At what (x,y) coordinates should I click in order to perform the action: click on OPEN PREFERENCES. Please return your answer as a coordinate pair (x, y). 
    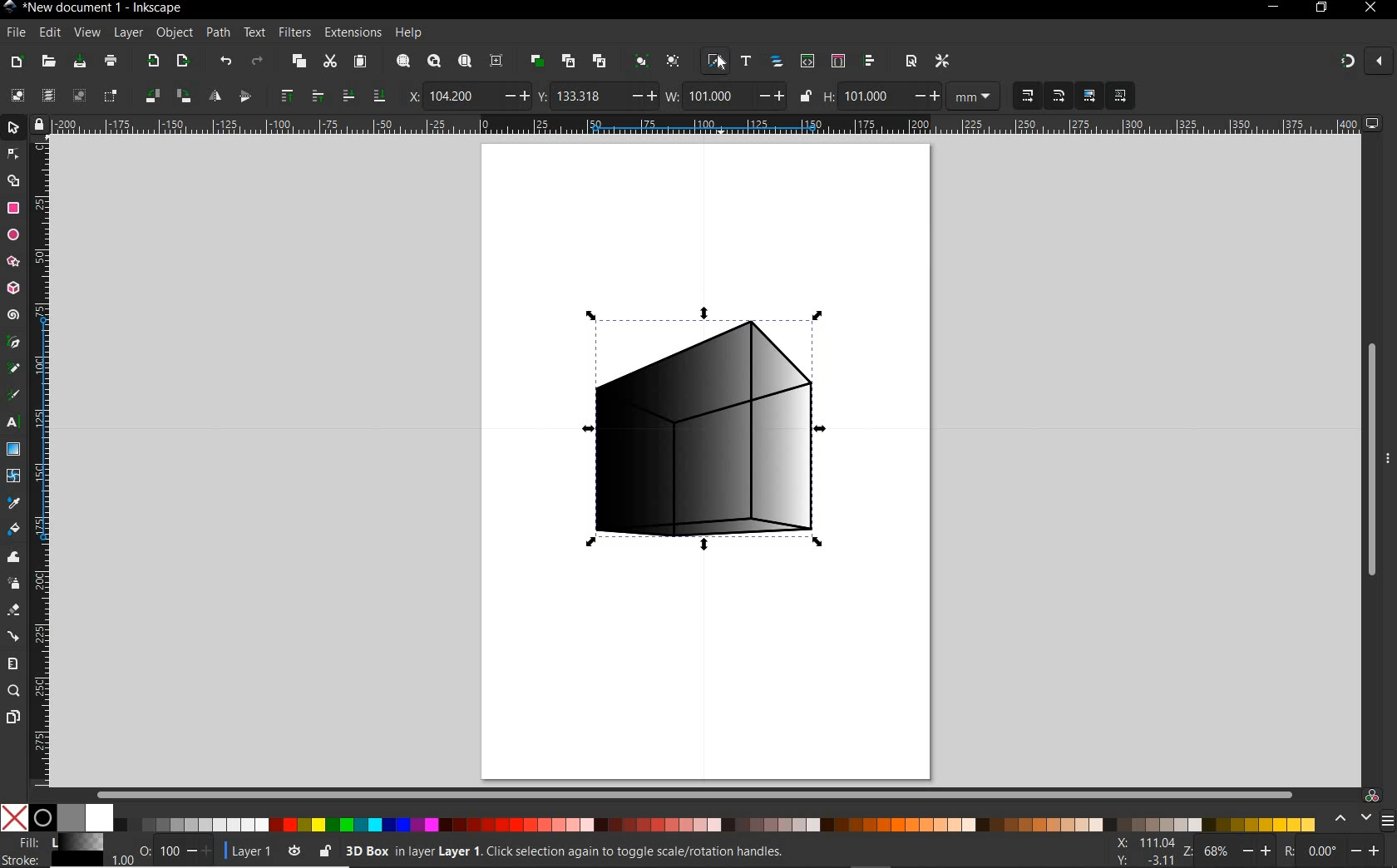
    Looking at the image, I should click on (943, 59).